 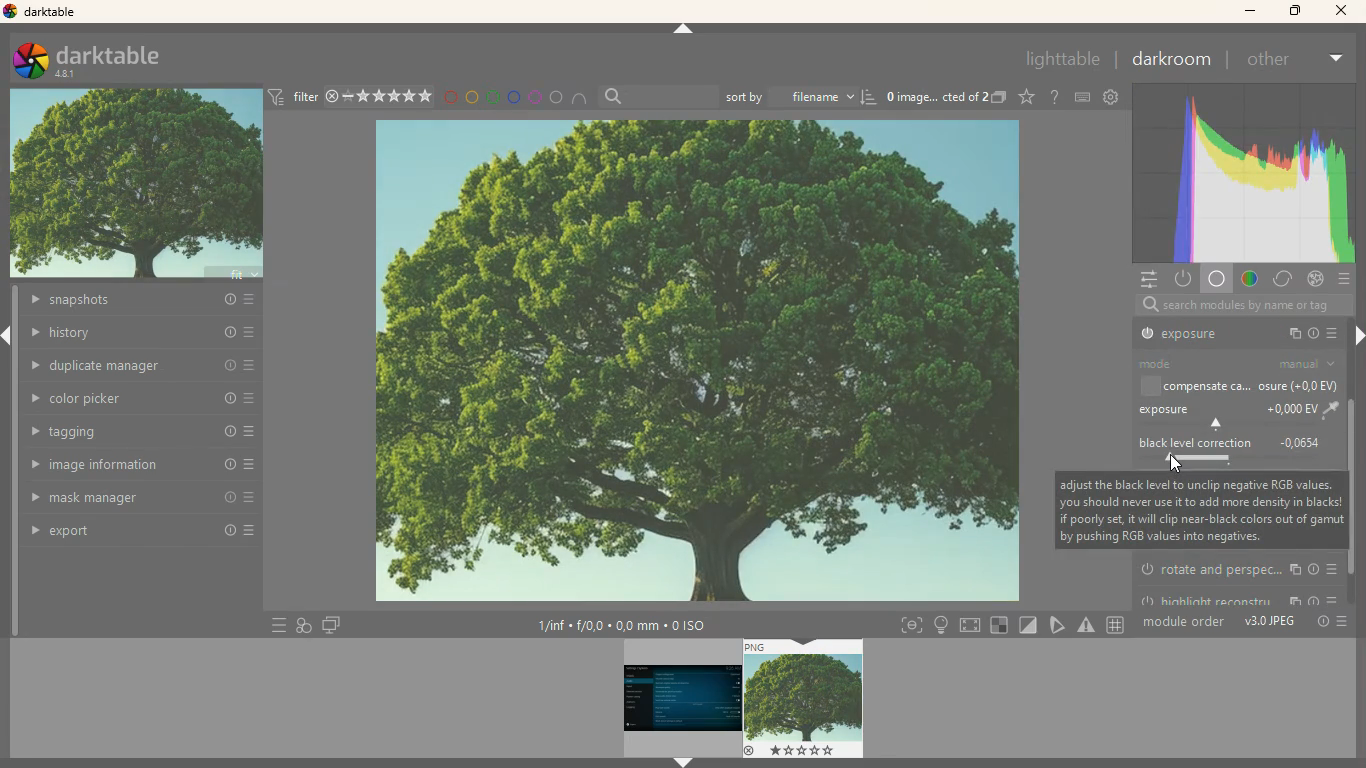 I want to click on color, so click(x=1244, y=173).